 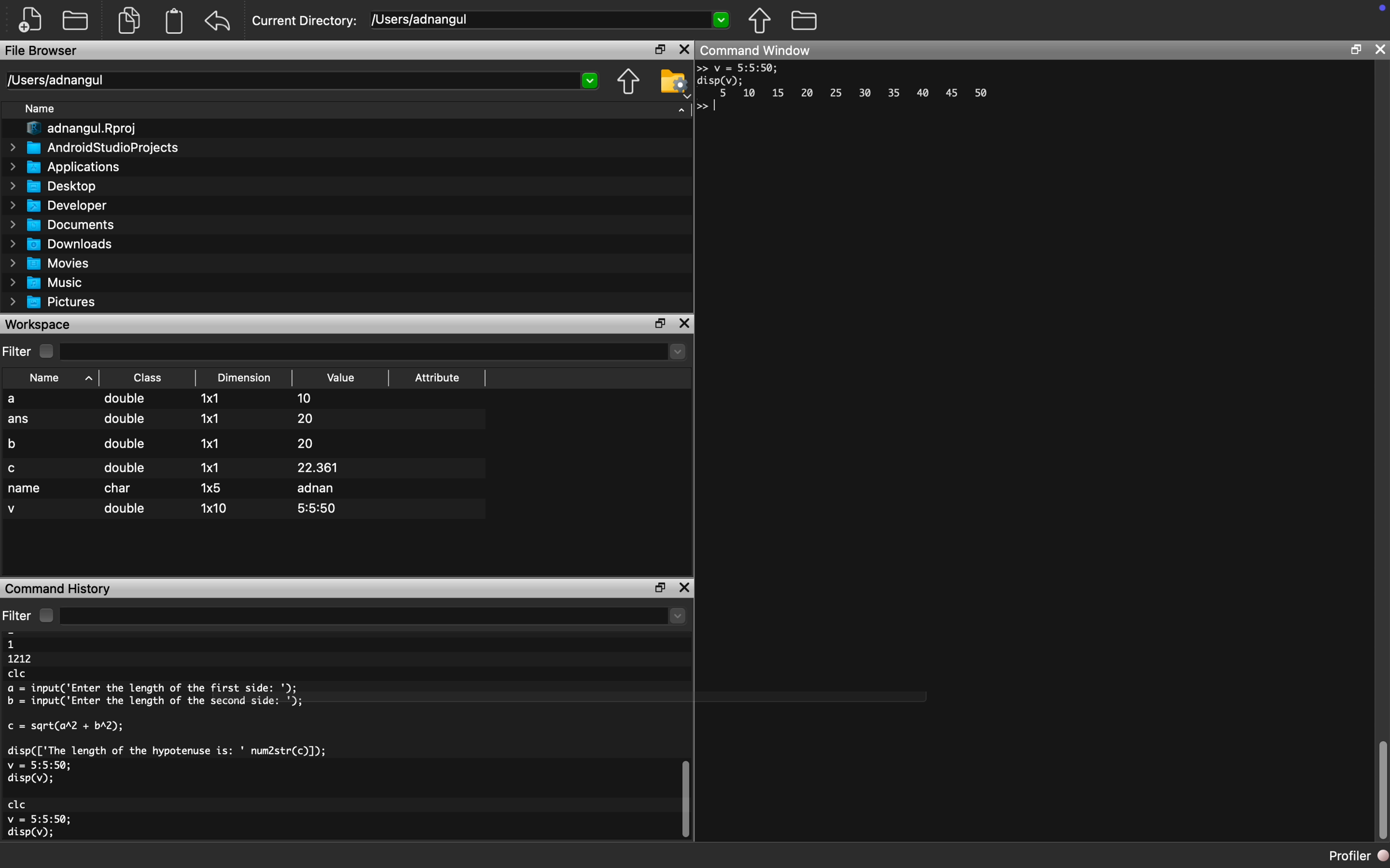 What do you see at coordinates (125, 397) in the screenshot?
I see `double` at bounding box center [125, 397].